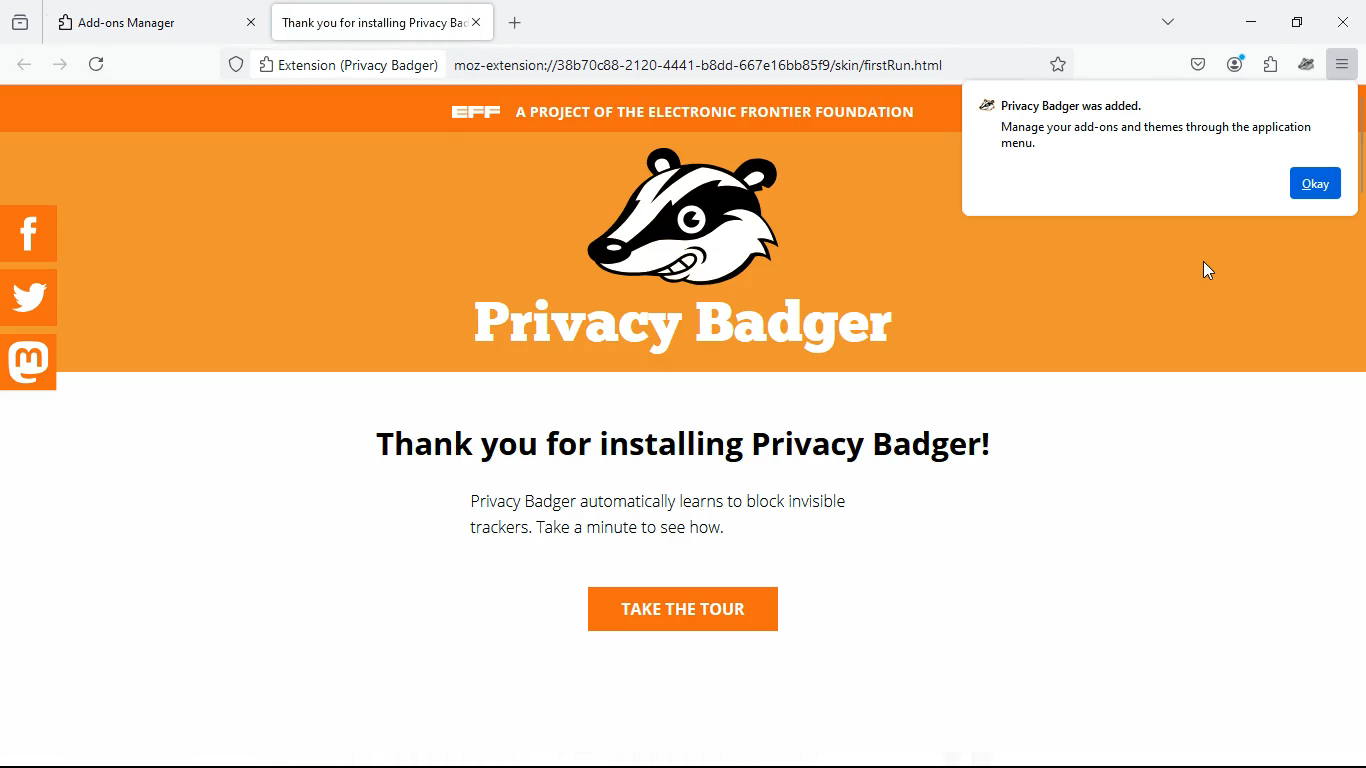  Describe the element at coordinates (252, 20) in the screenshot. I see `close tab` at that location.